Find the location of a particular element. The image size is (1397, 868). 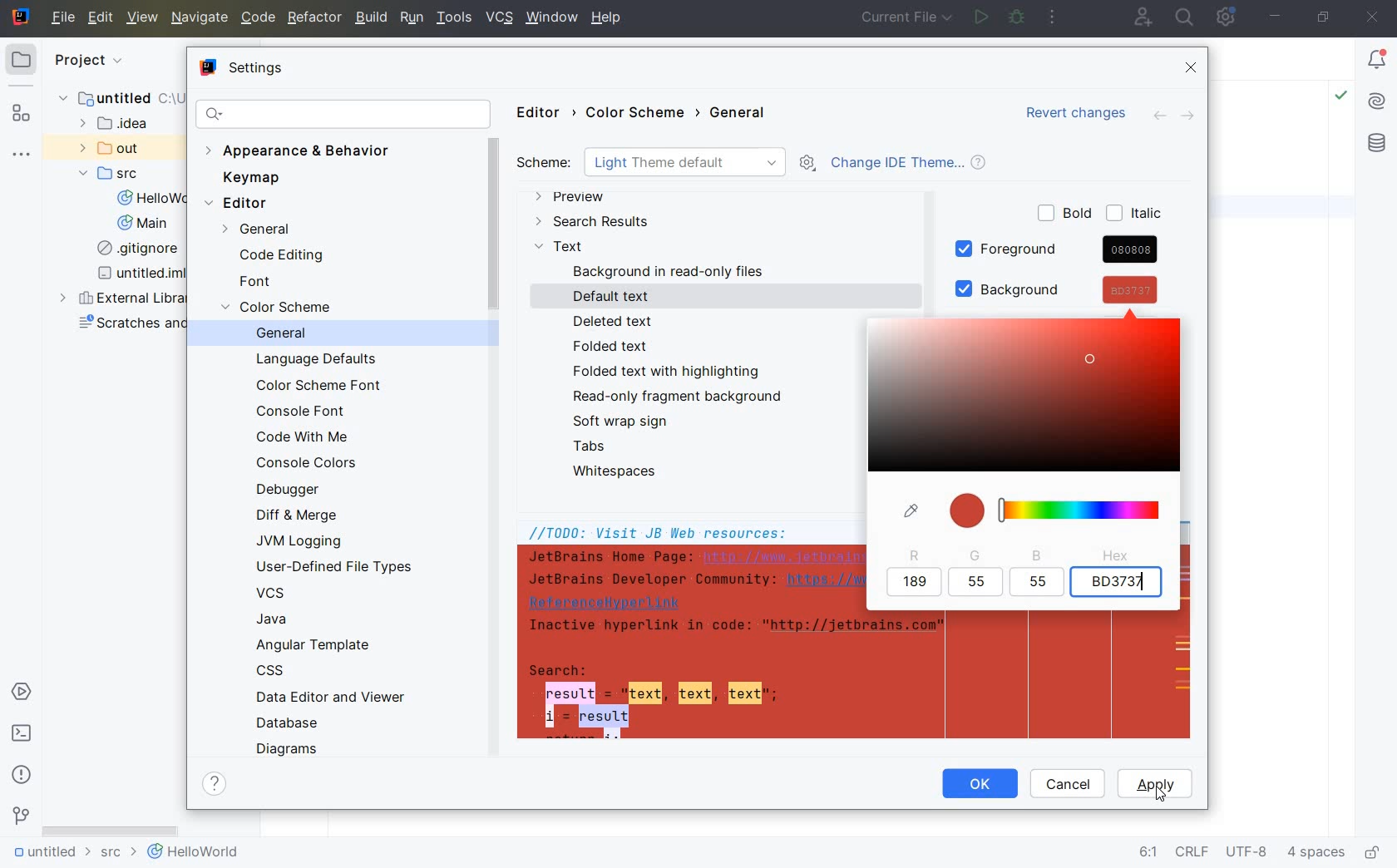

Revert changes is located at coordinates (1070, 111).